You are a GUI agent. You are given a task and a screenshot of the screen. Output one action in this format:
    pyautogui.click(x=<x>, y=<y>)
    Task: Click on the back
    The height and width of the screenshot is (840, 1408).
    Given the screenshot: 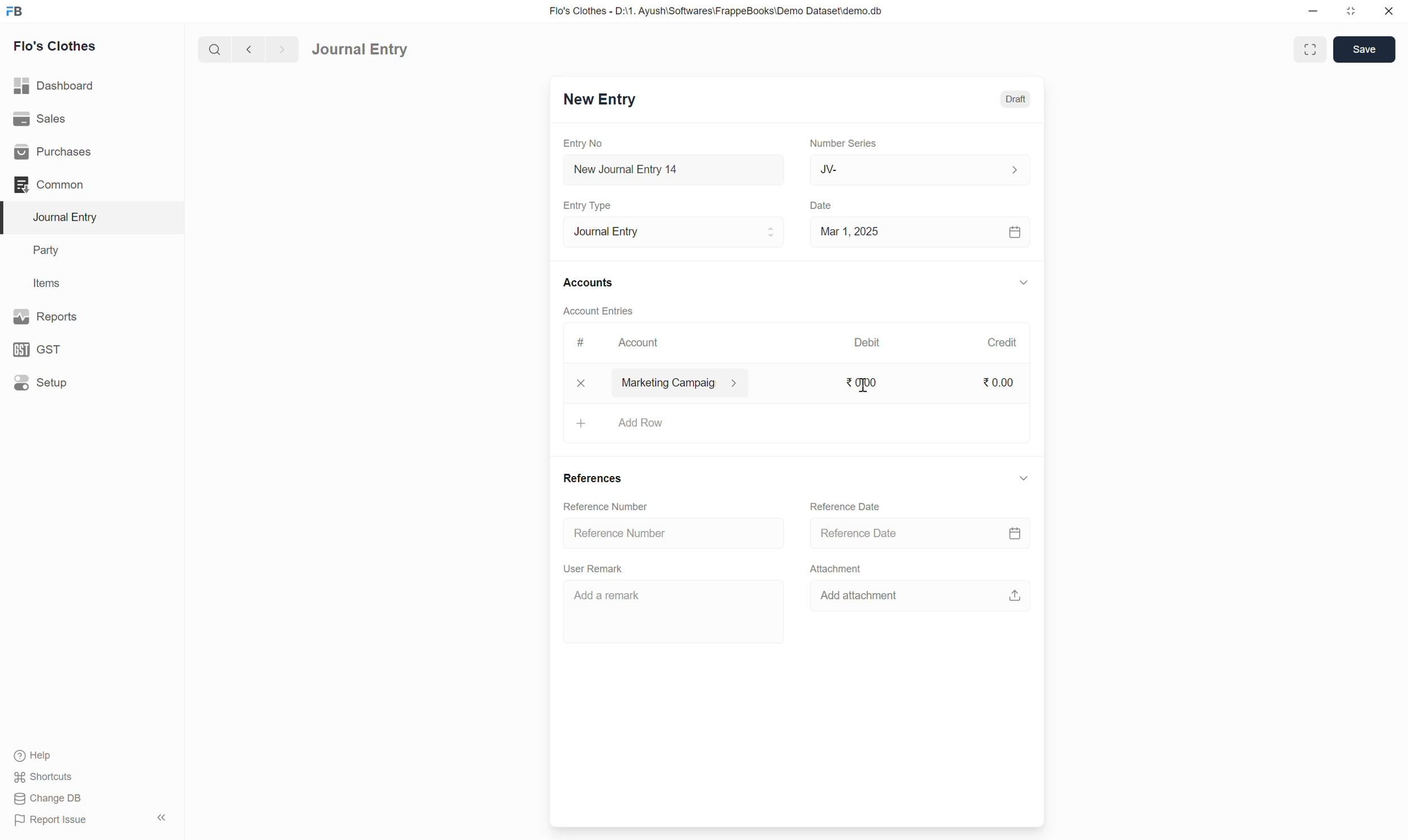 What is the action you would take?
    pyautogui.click(x=246, y=49)
    